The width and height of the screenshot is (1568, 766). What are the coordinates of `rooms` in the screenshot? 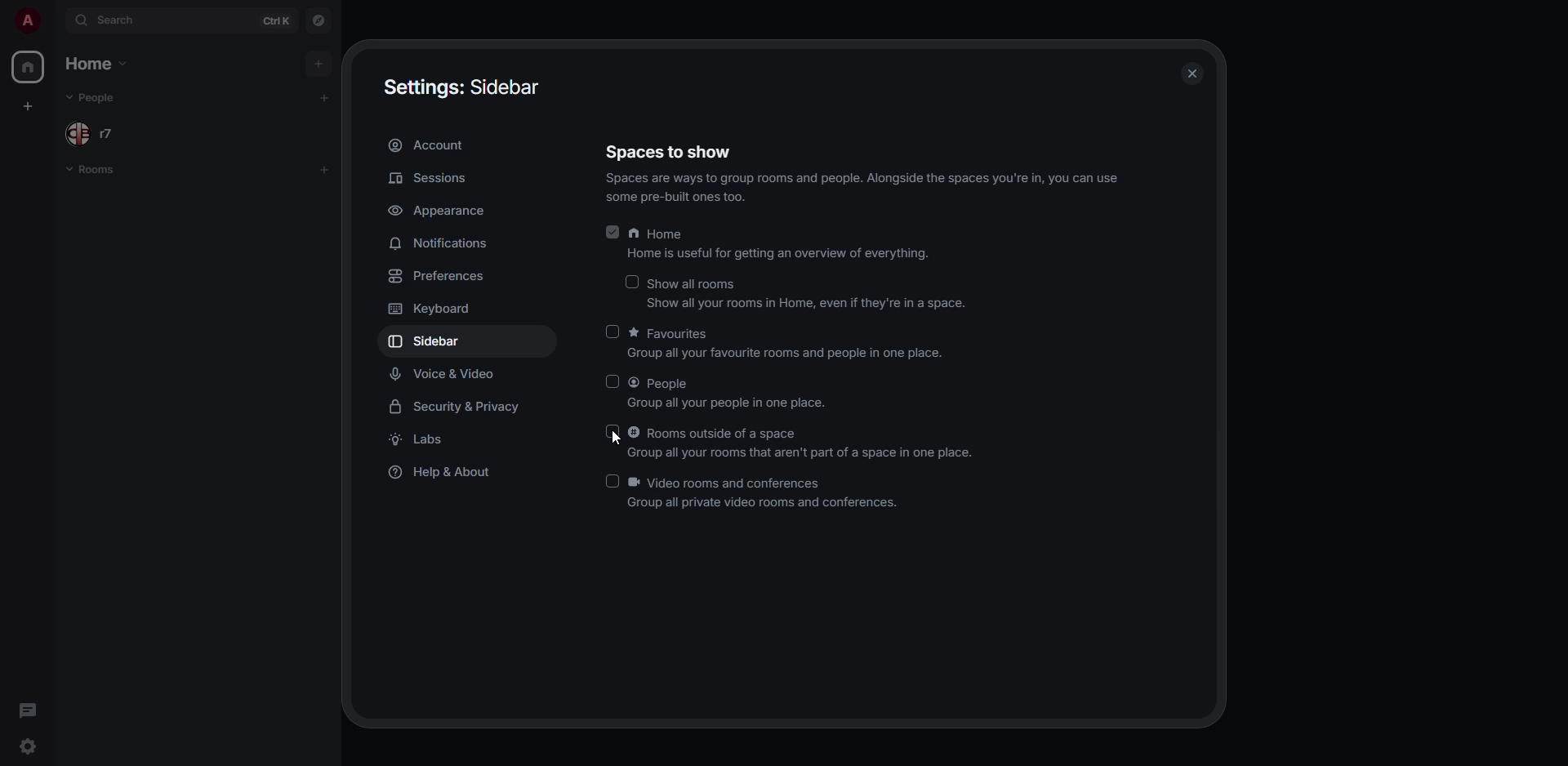 It's located at (96, 171).